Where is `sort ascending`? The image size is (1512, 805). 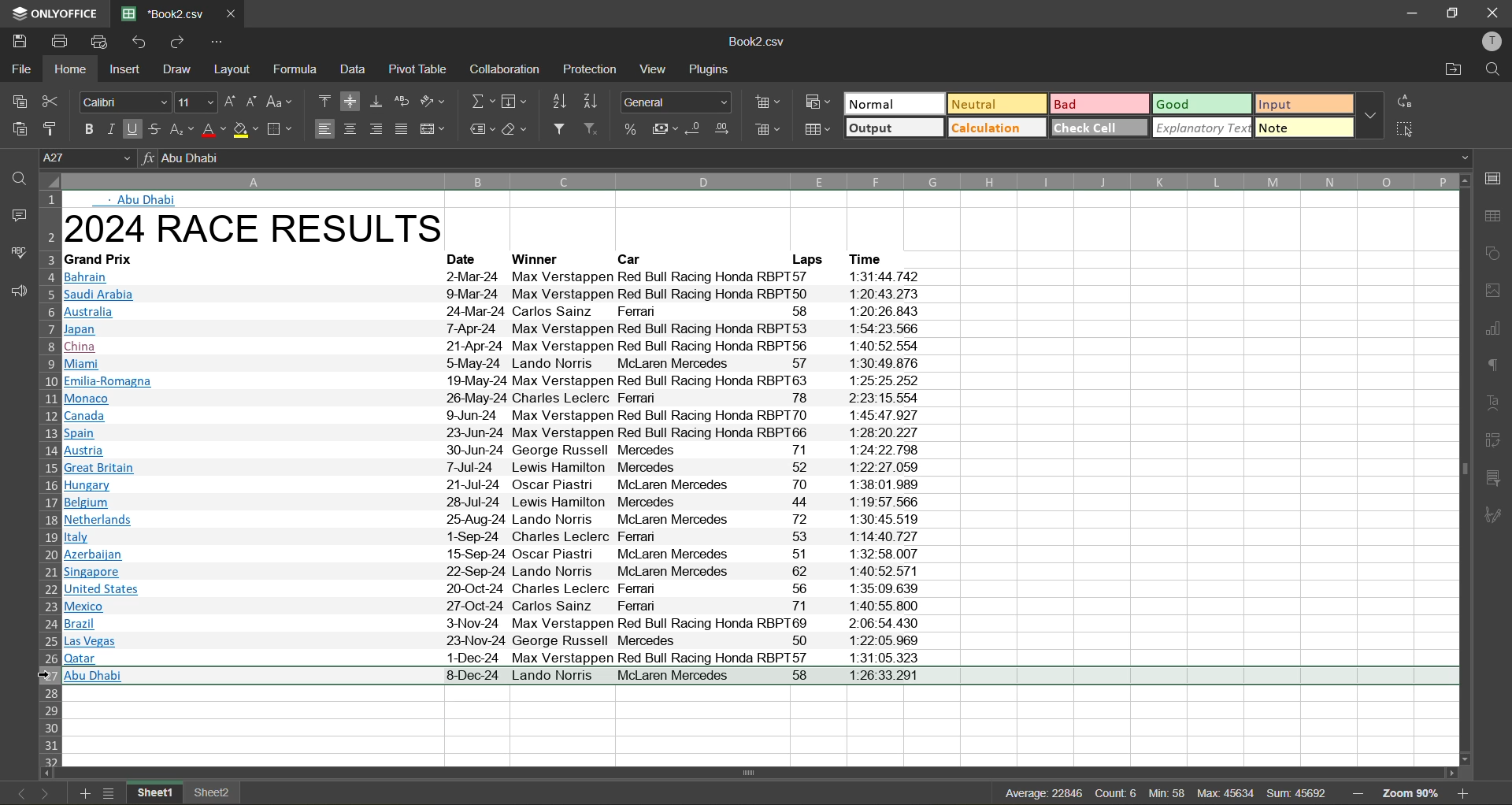
sort ascending is located at coordinates (558, 102).